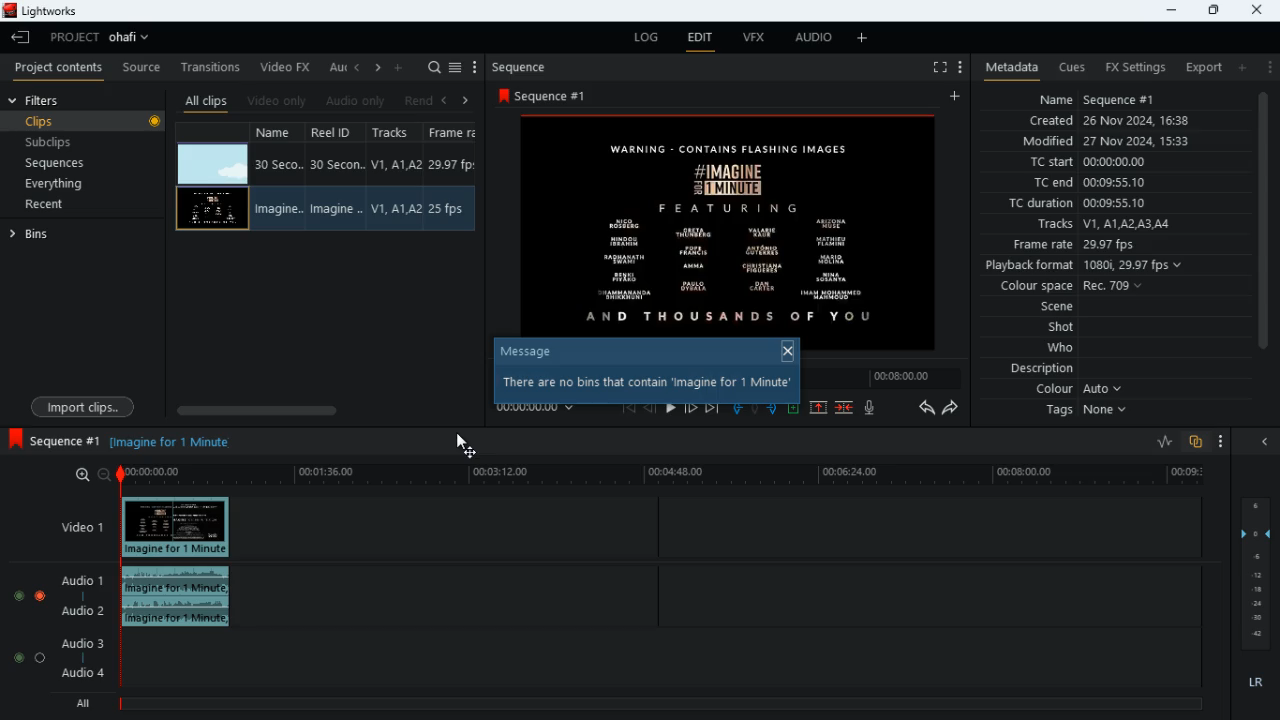 This screenshot has width=1280, height=720. Describe the element at coordinates (1118, 163) in the screenshot. I see `tc start` at that location.